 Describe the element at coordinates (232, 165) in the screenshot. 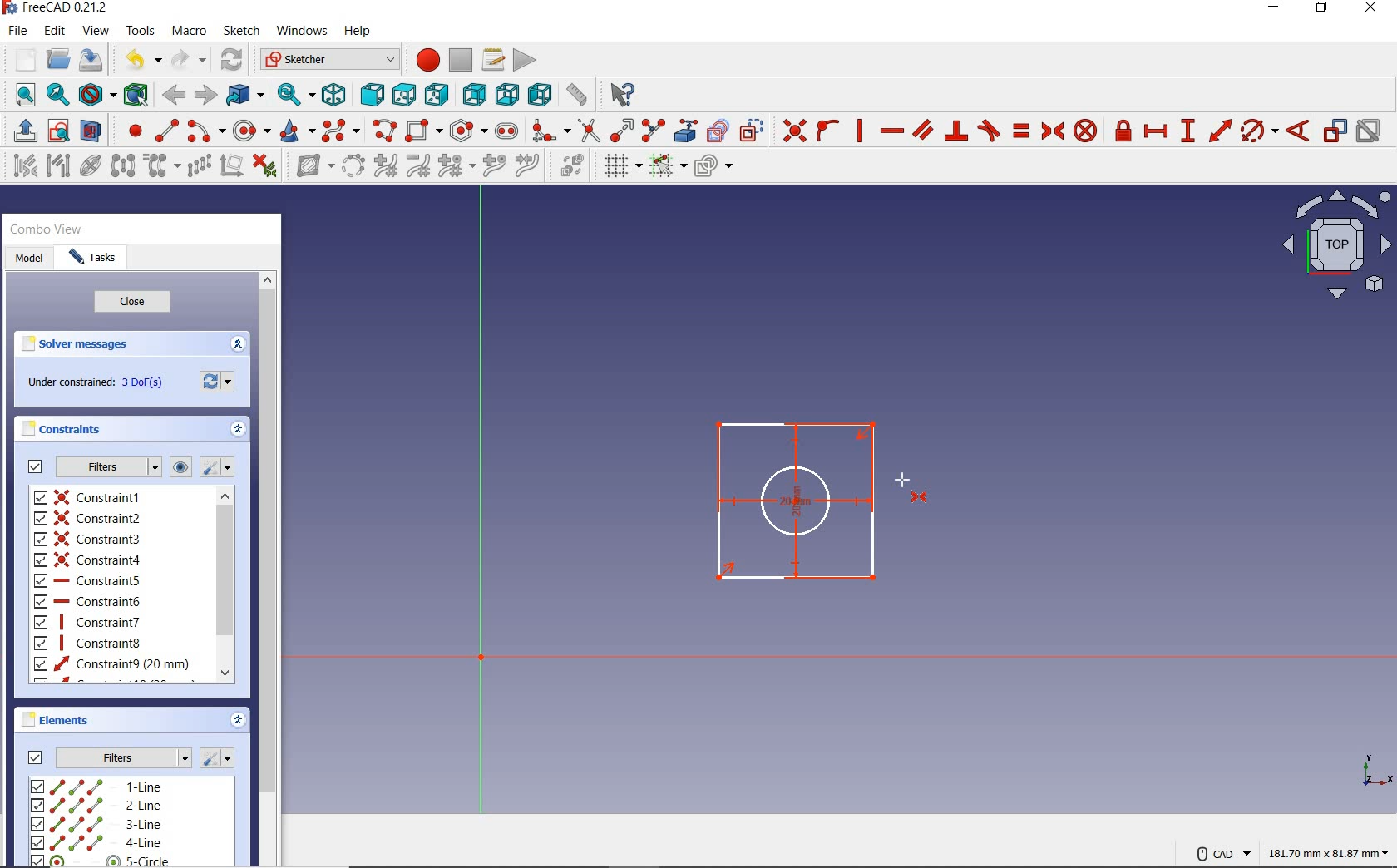

I see `remove axes alignment` at that location.